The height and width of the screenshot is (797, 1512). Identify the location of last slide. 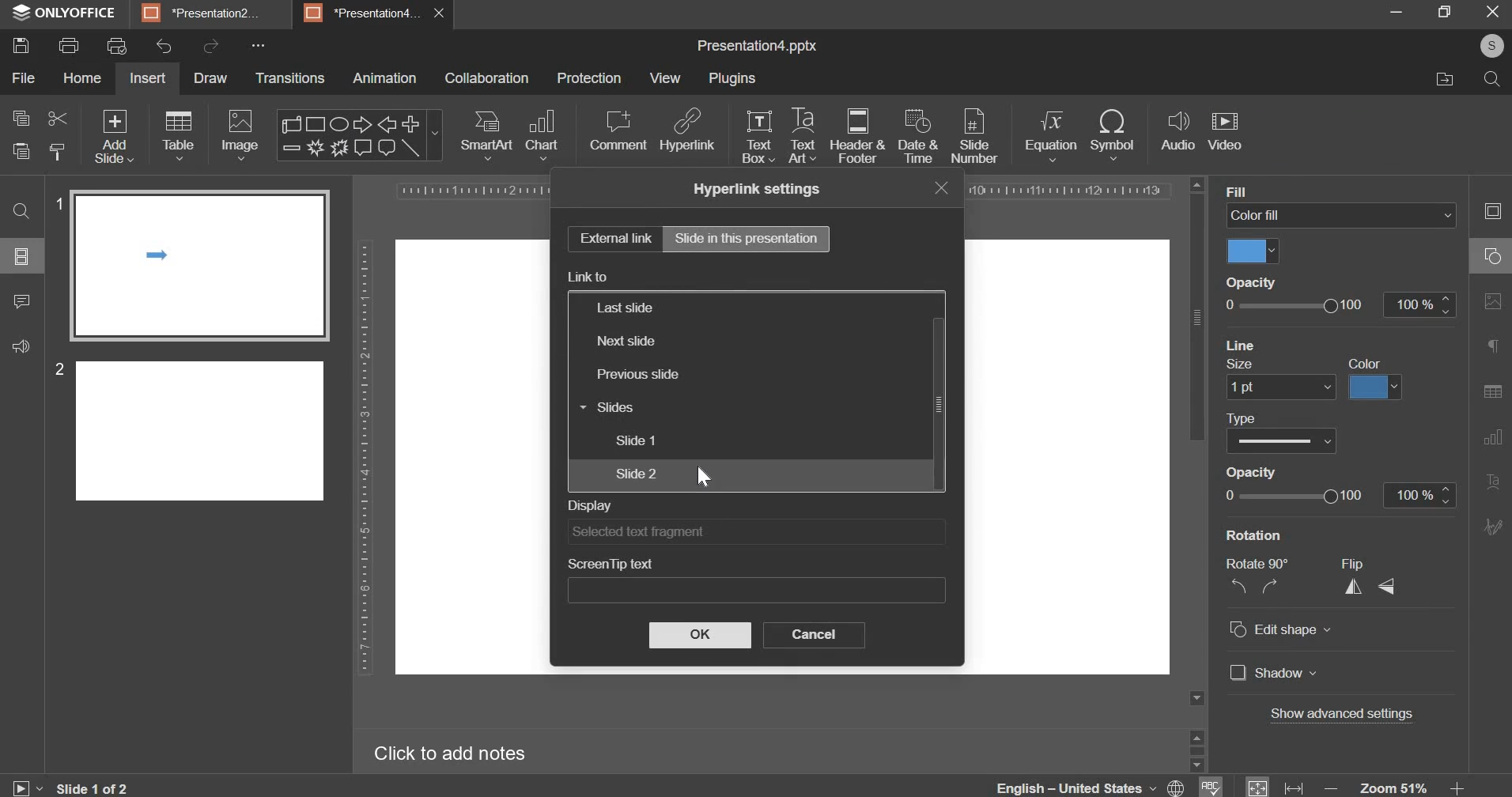
(624, 308).